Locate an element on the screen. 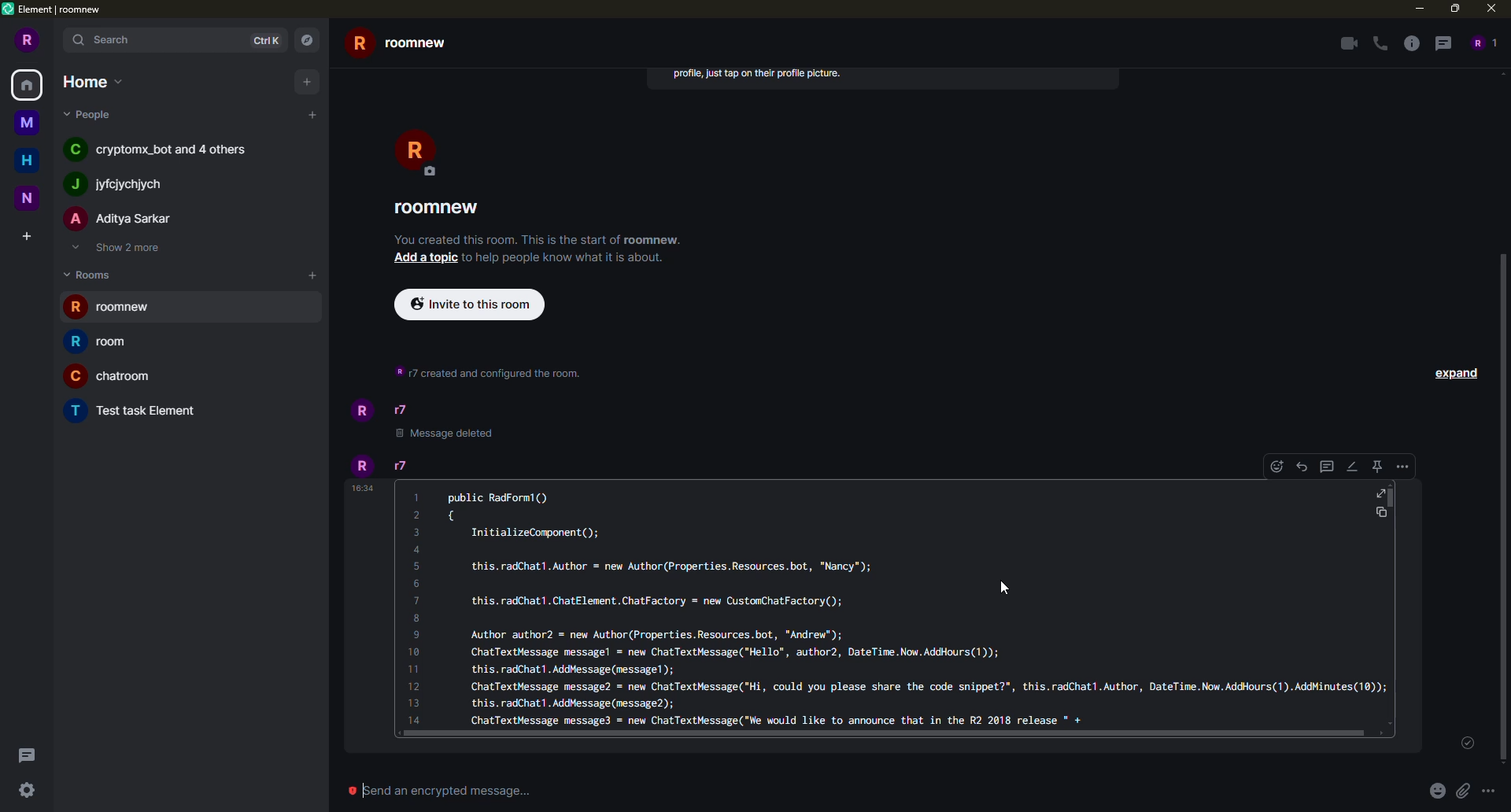  profile is located at coordinates (361, 465).